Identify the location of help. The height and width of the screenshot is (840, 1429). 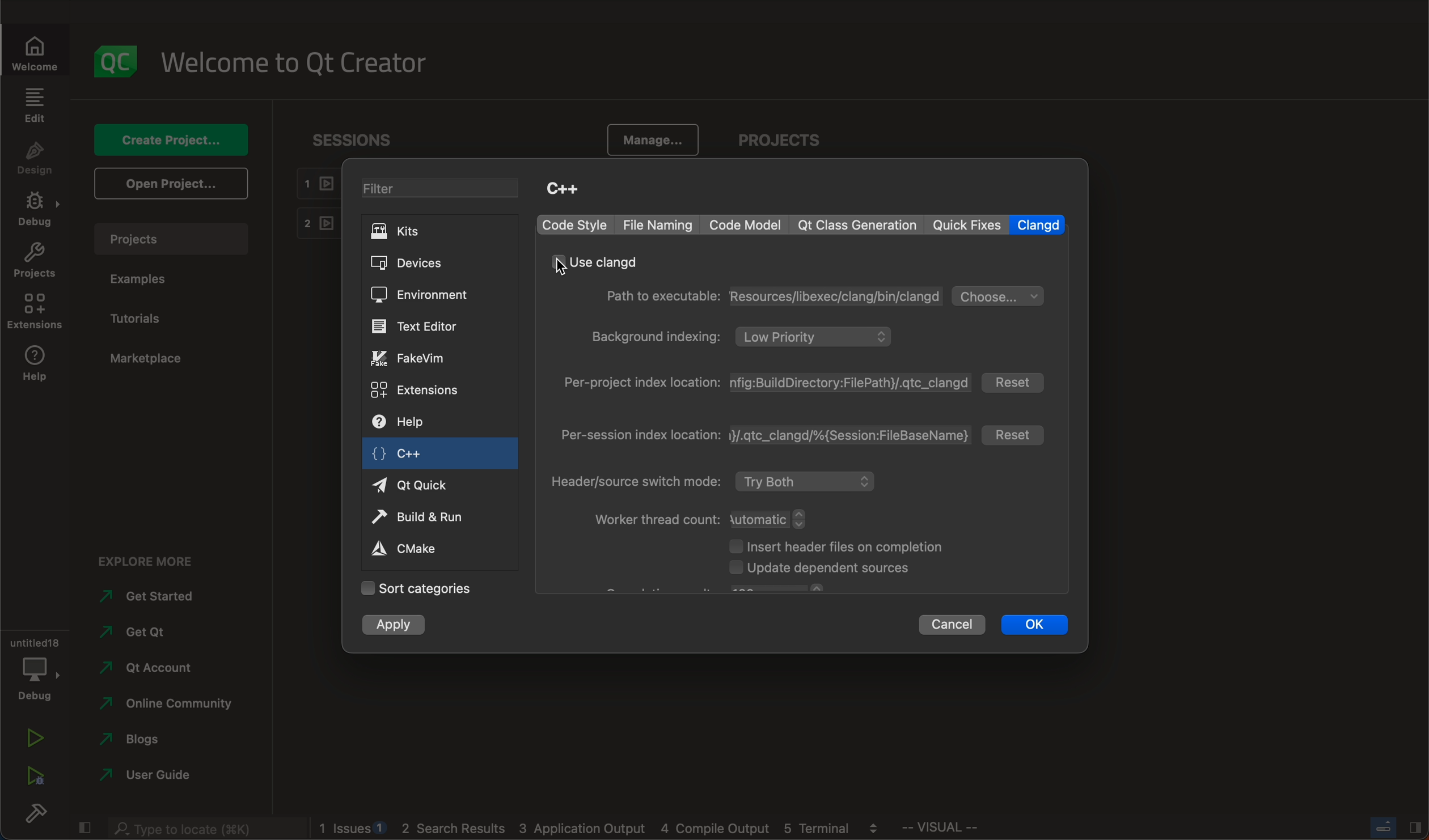
(413, 420).